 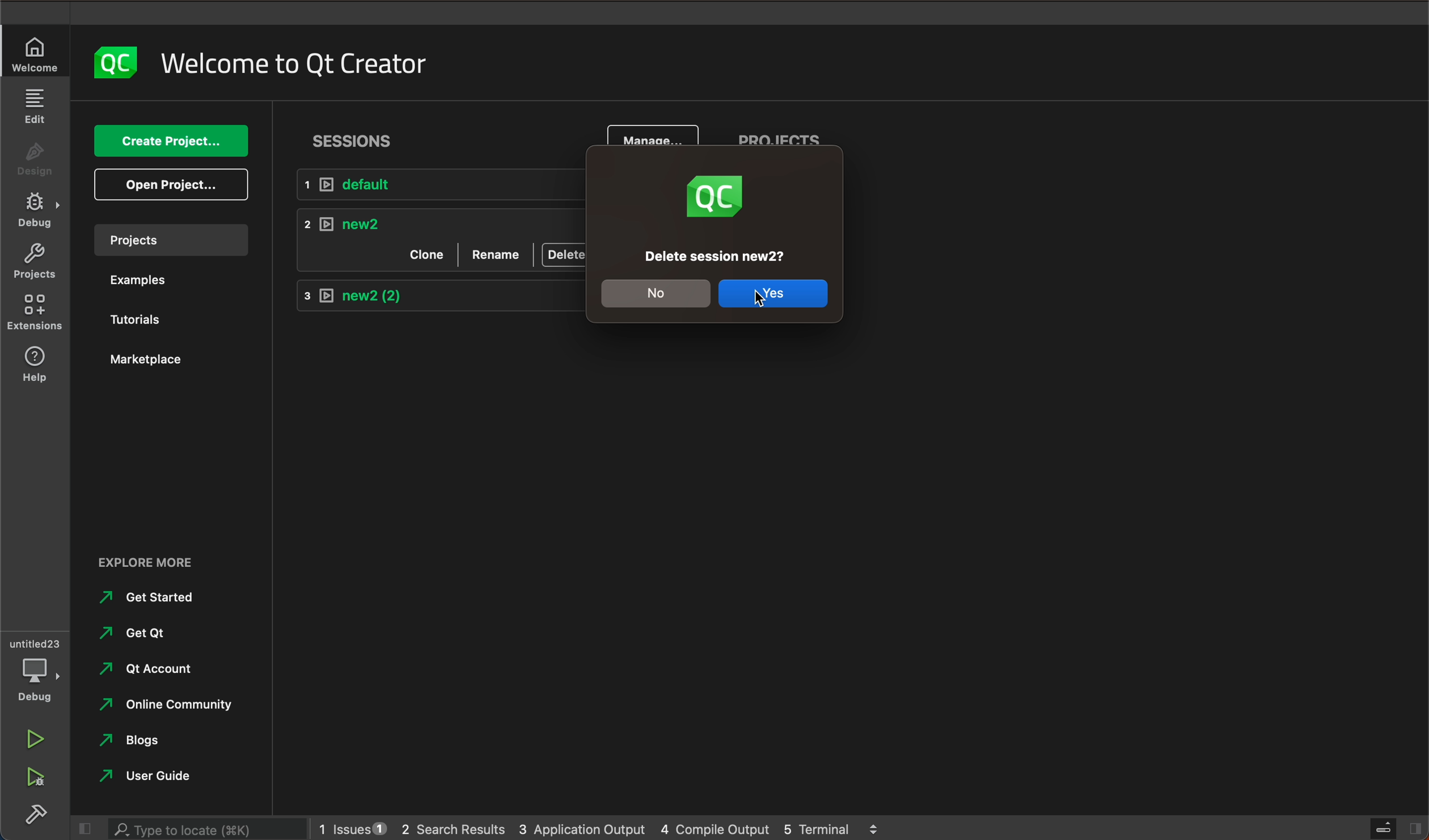 What do you see at coordinates (38, 812) in the screenshot?
I see `build` at bounding box center [38, 812].